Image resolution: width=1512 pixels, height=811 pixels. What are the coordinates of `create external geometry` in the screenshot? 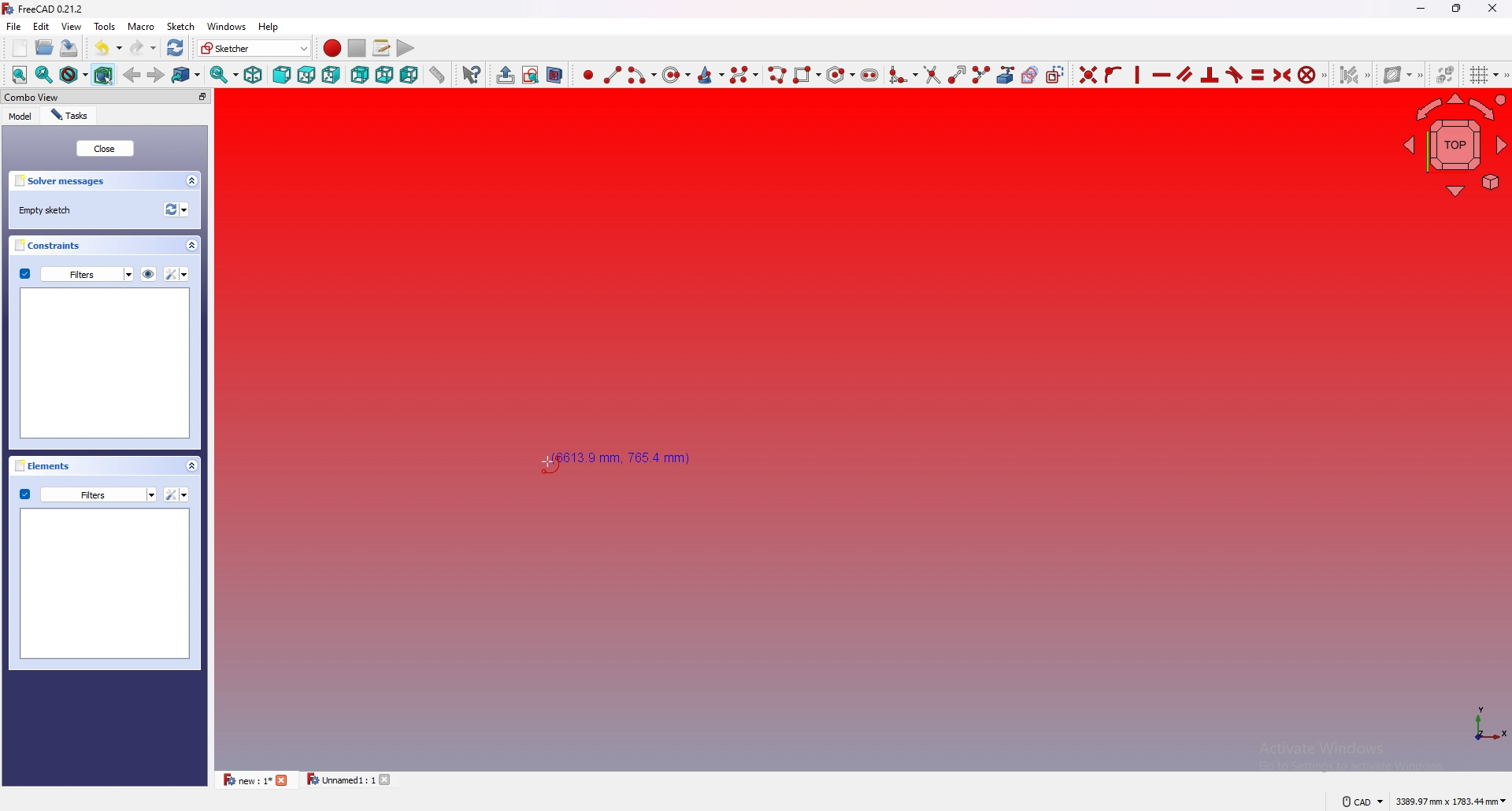 It's located at (1006, 76).